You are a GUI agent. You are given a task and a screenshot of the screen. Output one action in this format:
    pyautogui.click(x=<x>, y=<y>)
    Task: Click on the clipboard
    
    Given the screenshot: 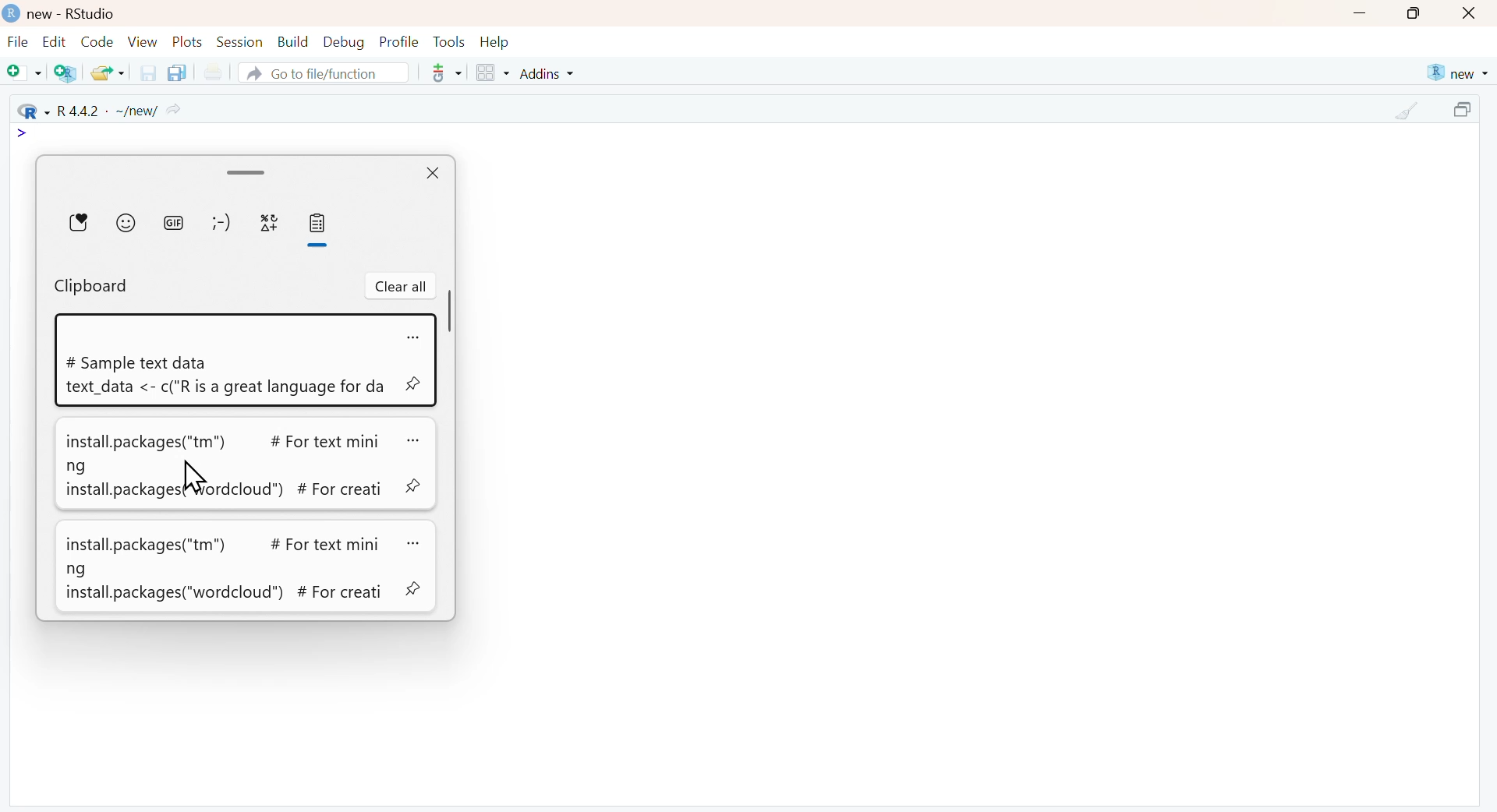 What is the action you would take?
    pyautogui.click(x=317, y=224)
    